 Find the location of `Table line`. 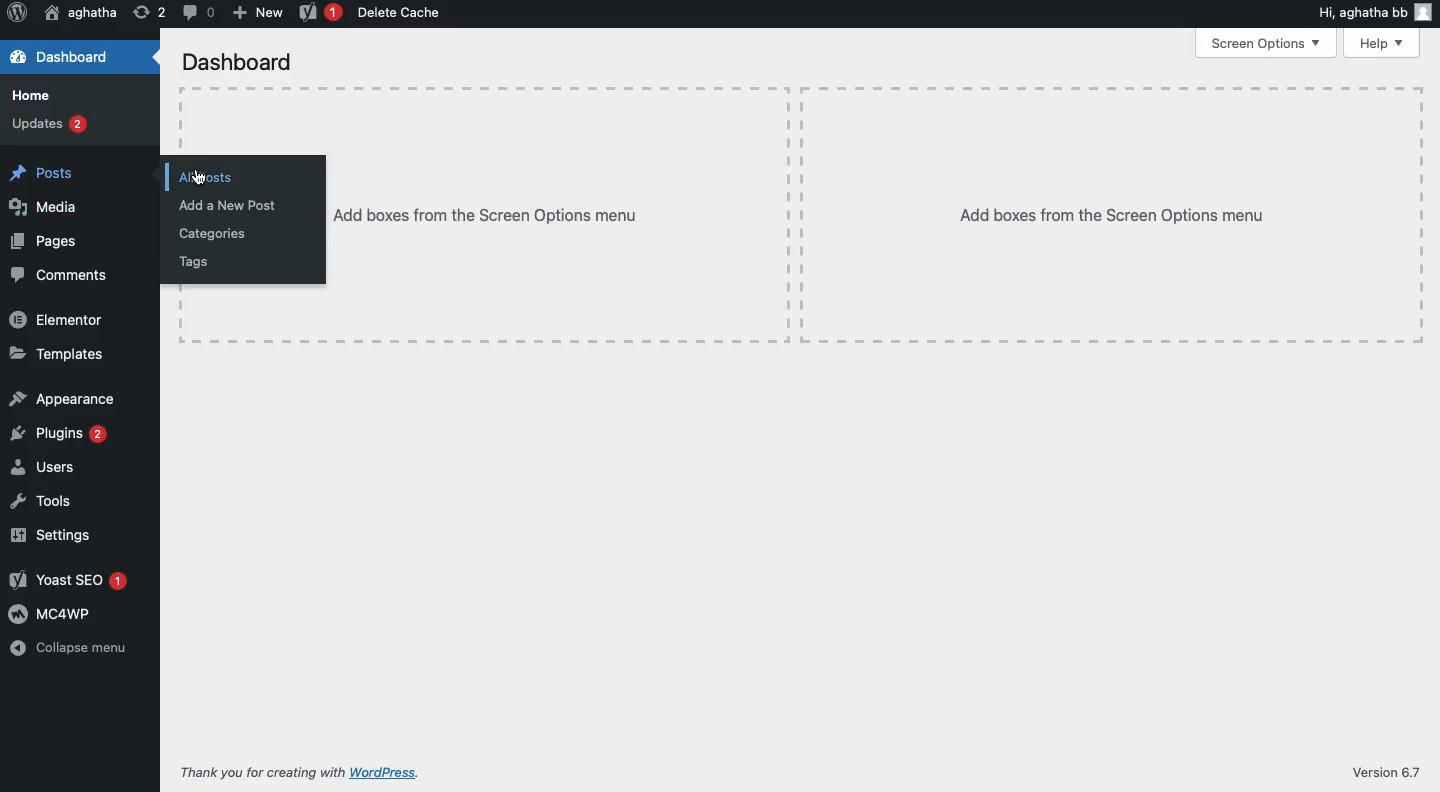

Table line is located at coordinates (182, 124).